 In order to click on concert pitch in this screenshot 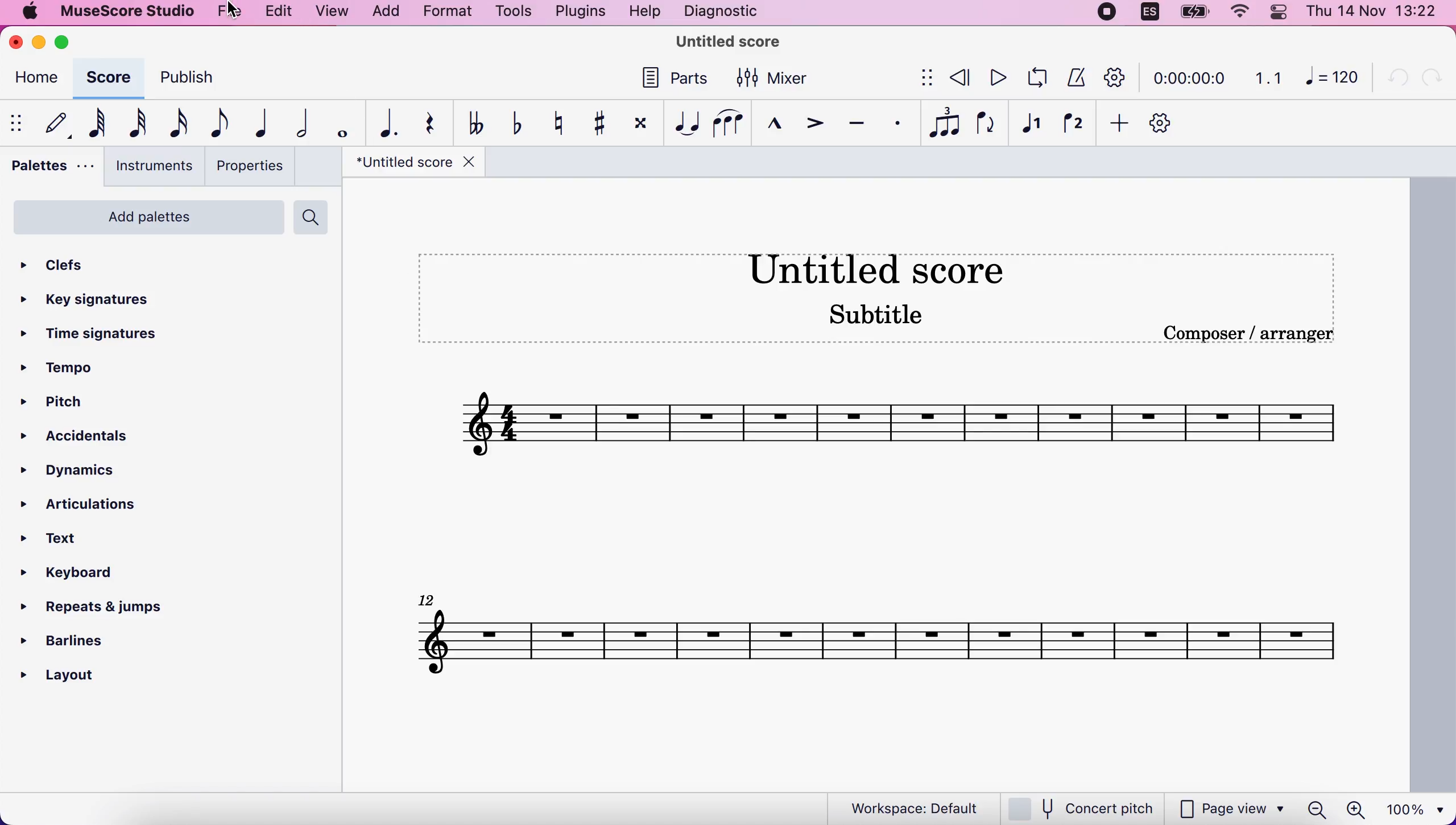, I will do `click(1084, 807)`.